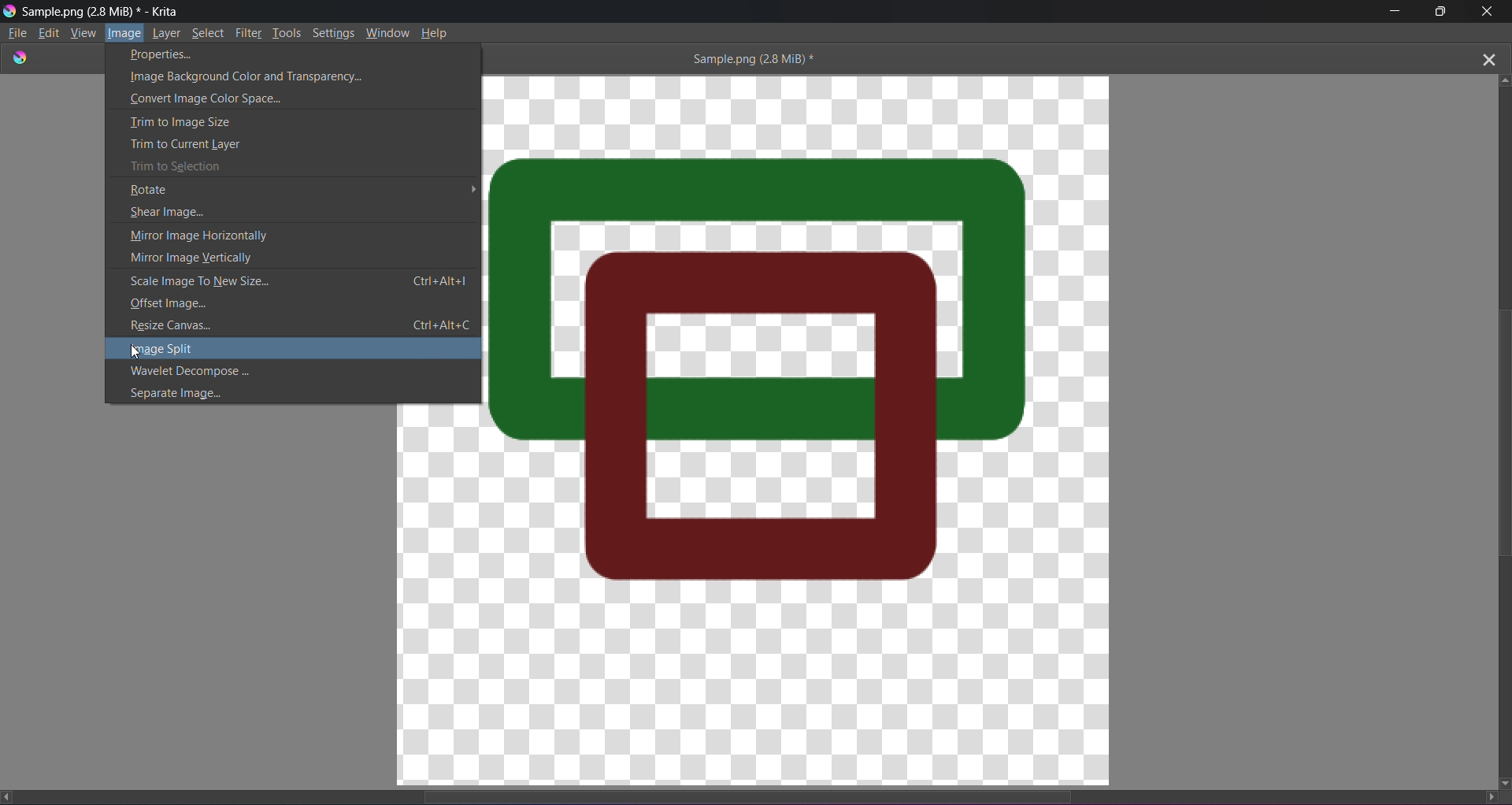 This screenshot has height=805, width=1512. Describe the element at coordinates (17, 33) in the screenshot. I see `File` at that location.